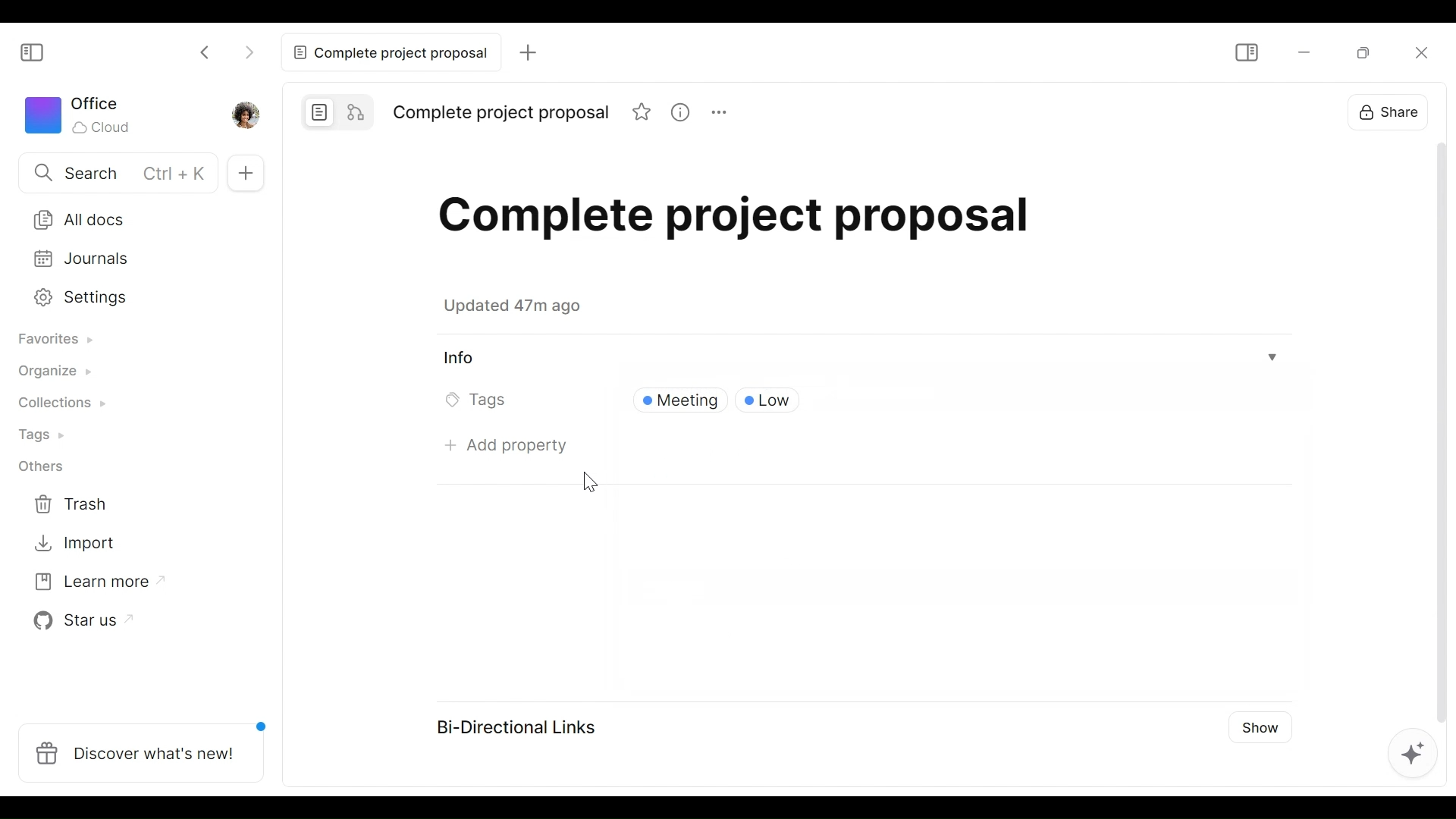 The width and height of the screenshot is (1456, 819). I want to click on Tags, so click(47, 435).